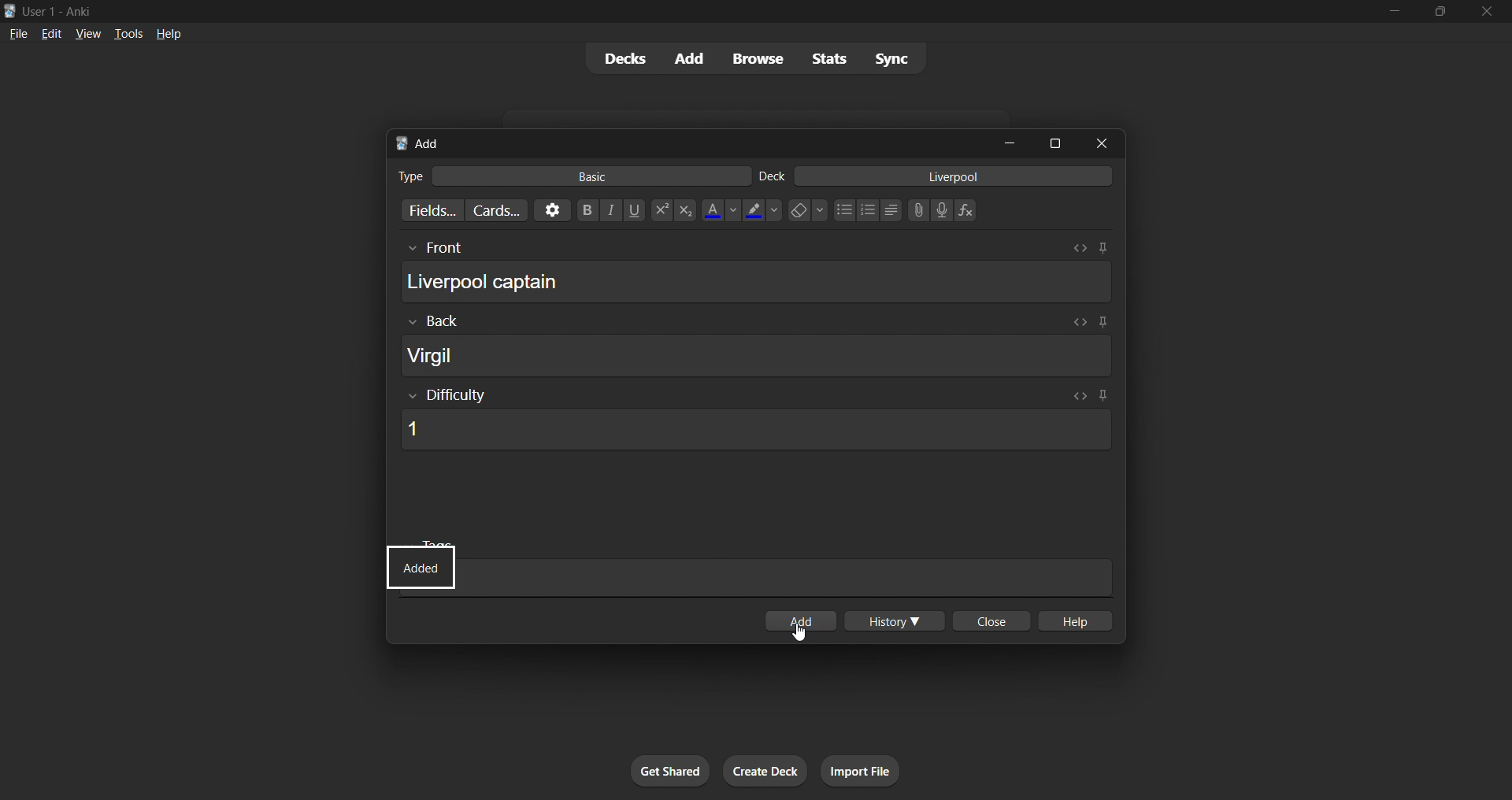  Describe the element at coordinates (1102, 143) in the screenshot. I see `close` at that location.